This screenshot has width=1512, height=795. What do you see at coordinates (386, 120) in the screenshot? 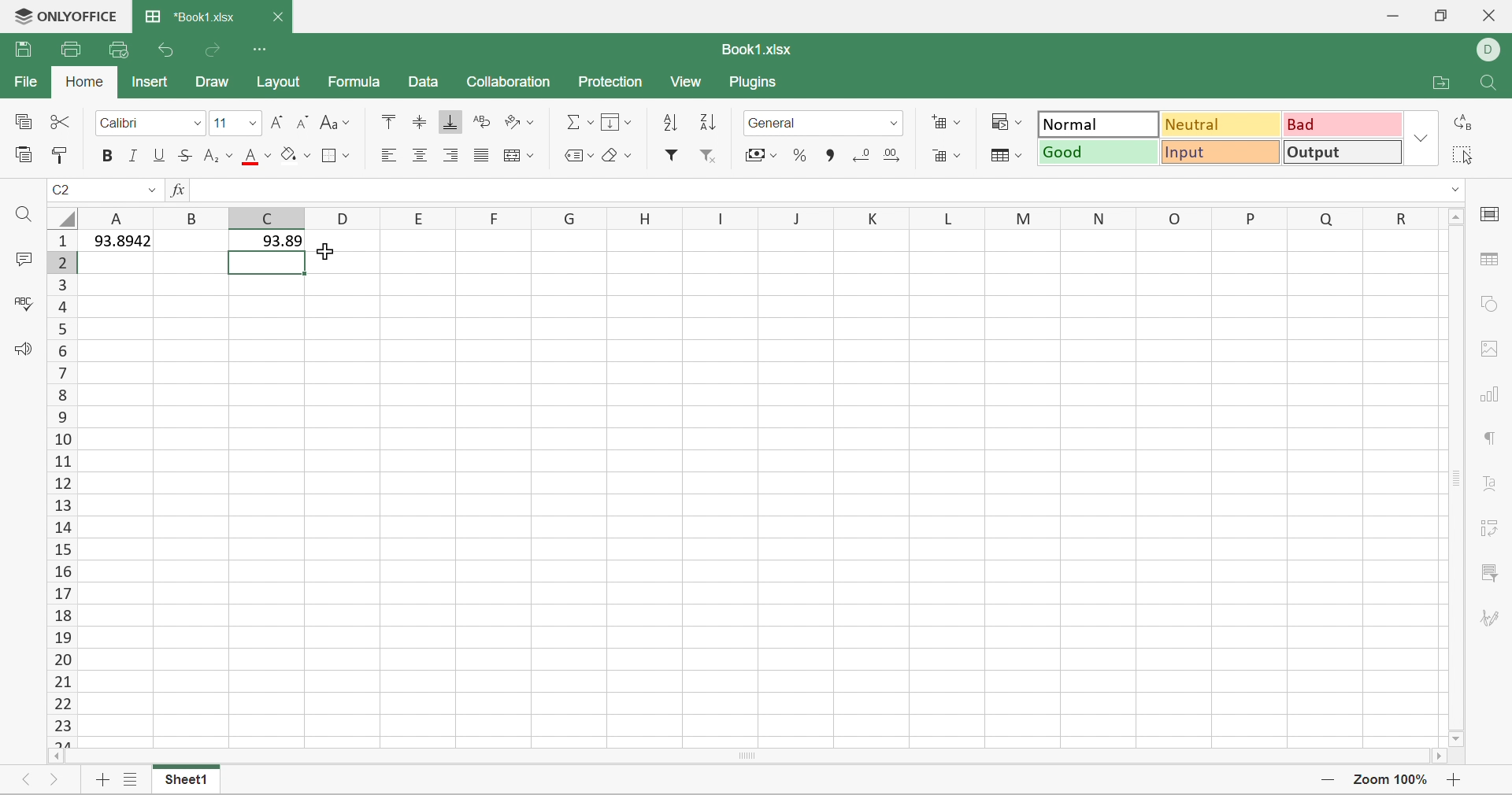
I see `Align Top` at bounding box center [386, 120].